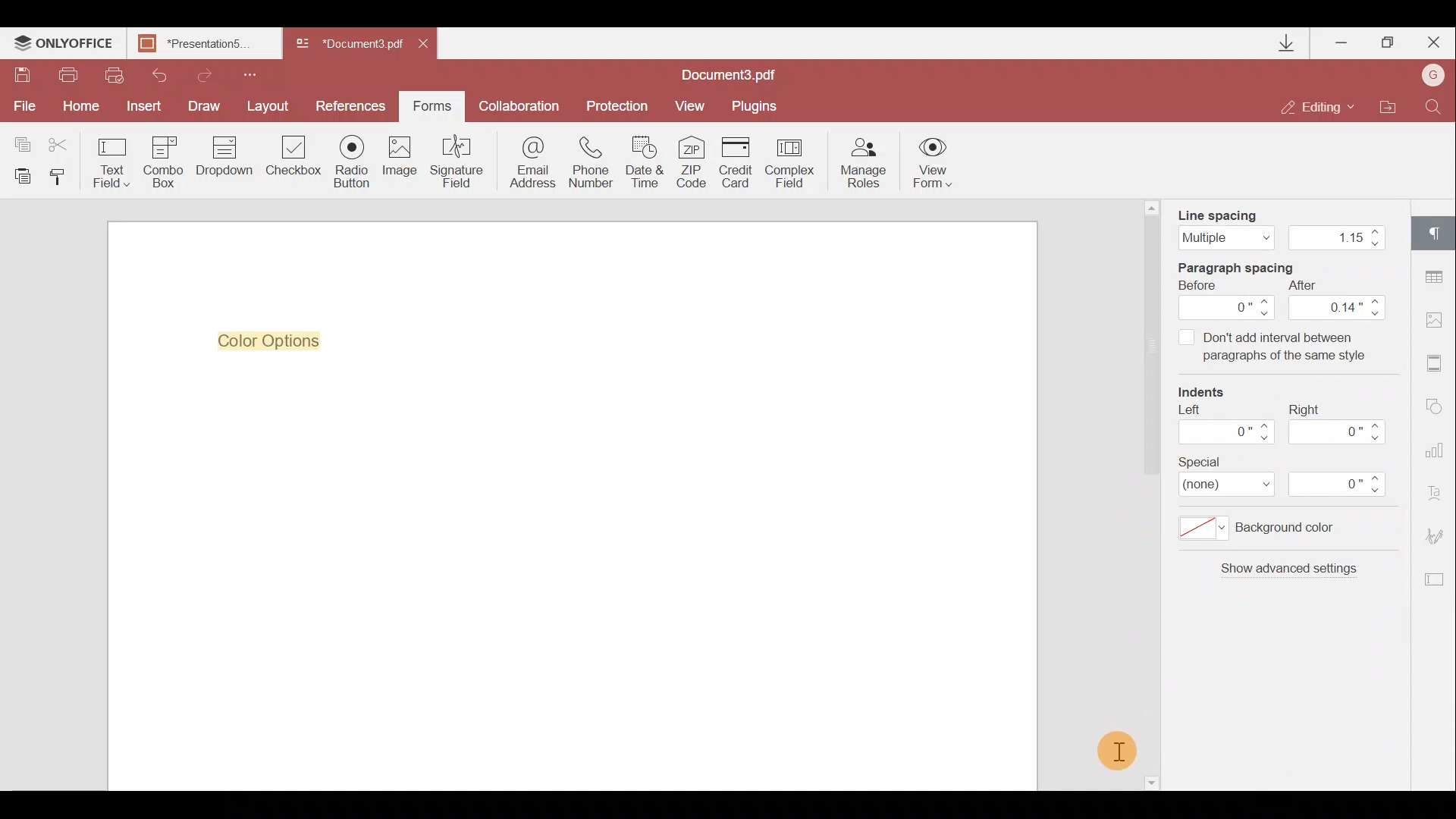 The width and height of the screenshot is (1456, 819). Describe the element at coordinates (64, 45) in the screenshot. I see `ONLYOFFICE` at that location.